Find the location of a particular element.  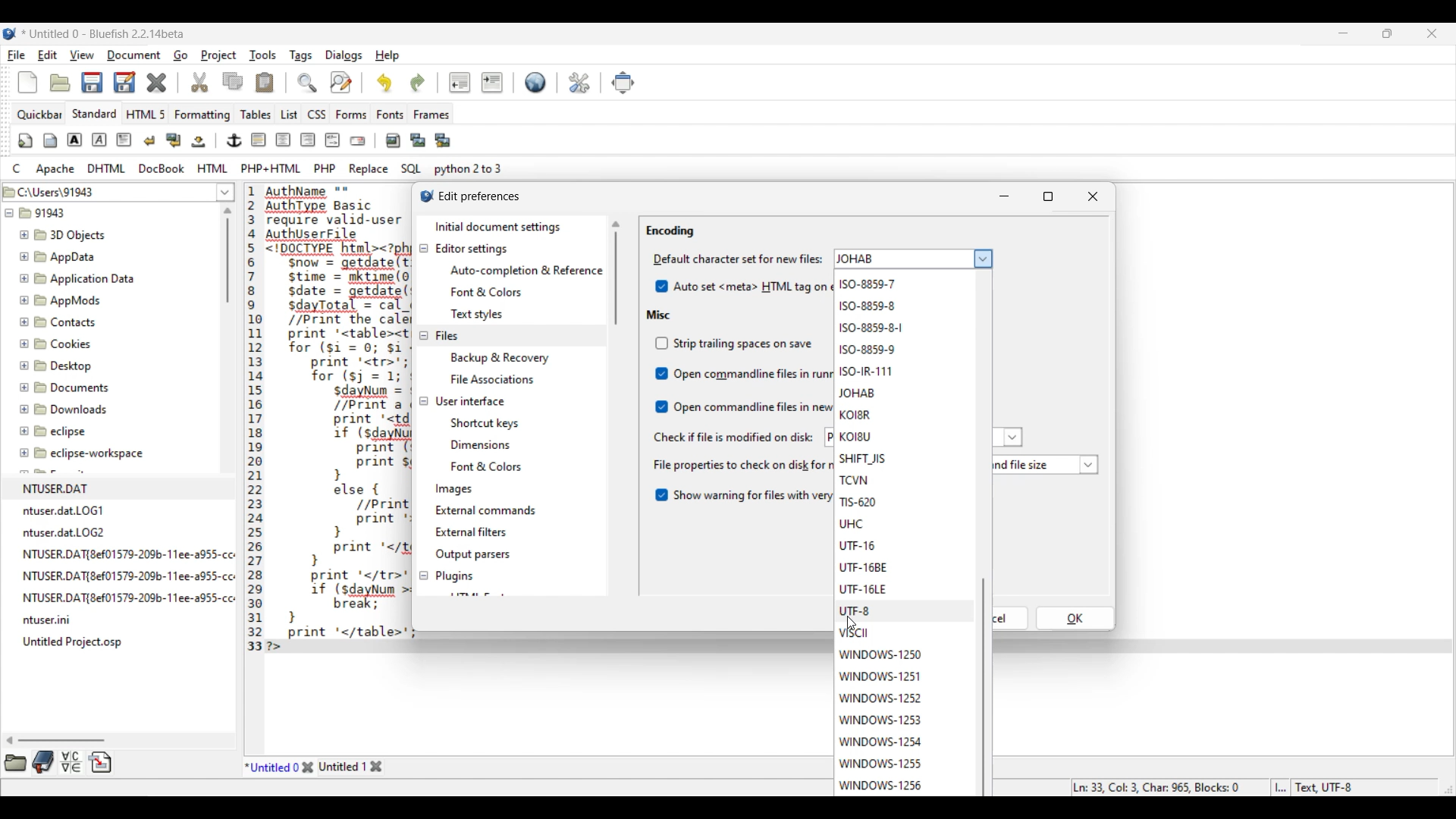

Default settings is located at coordinates (535, 82).